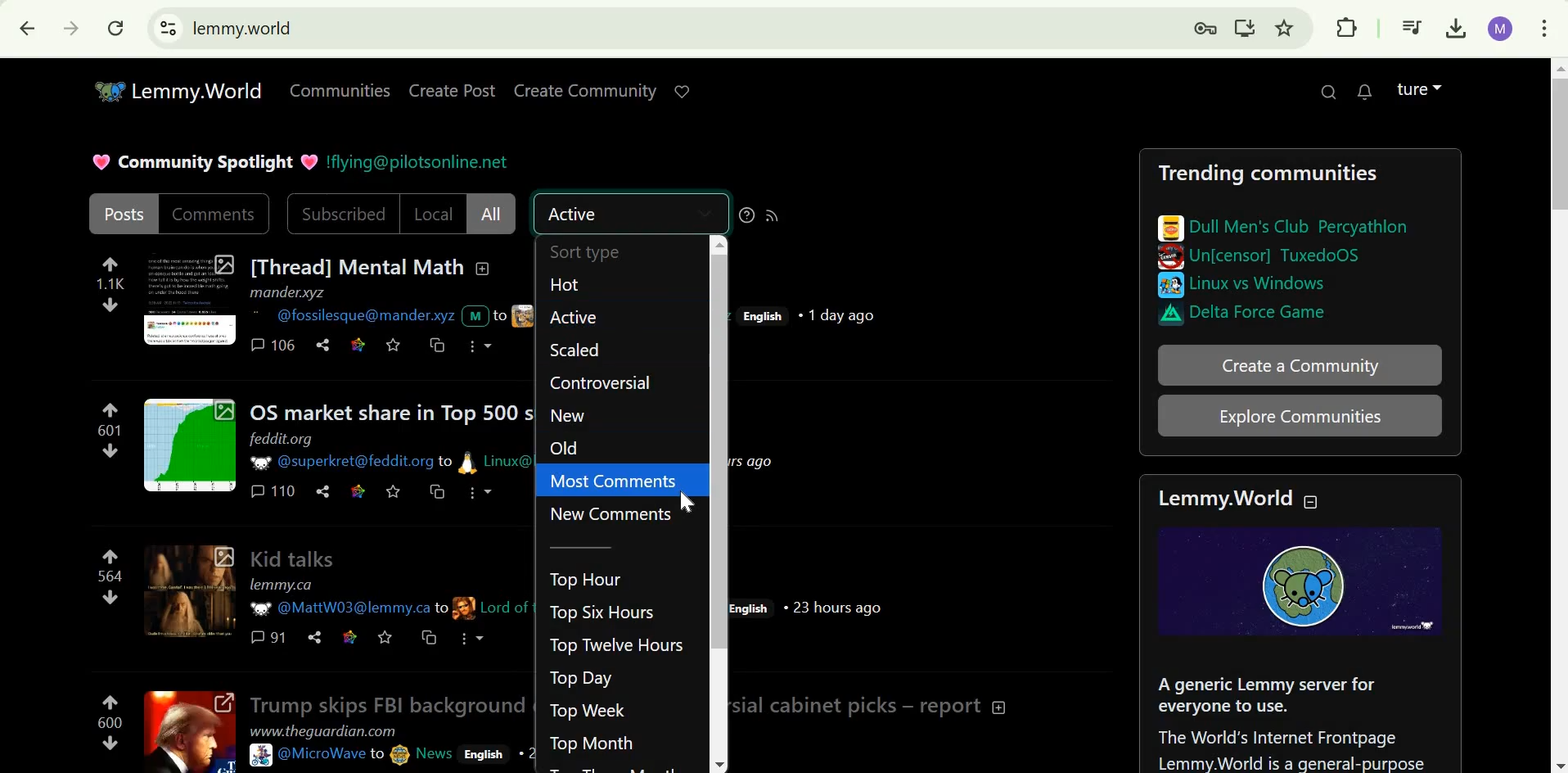 Image resolution: width=1568 pixels, height=773 pixels. Describe the element at coordinates (273, 343) in the screenshot. I see `comments` at that location.